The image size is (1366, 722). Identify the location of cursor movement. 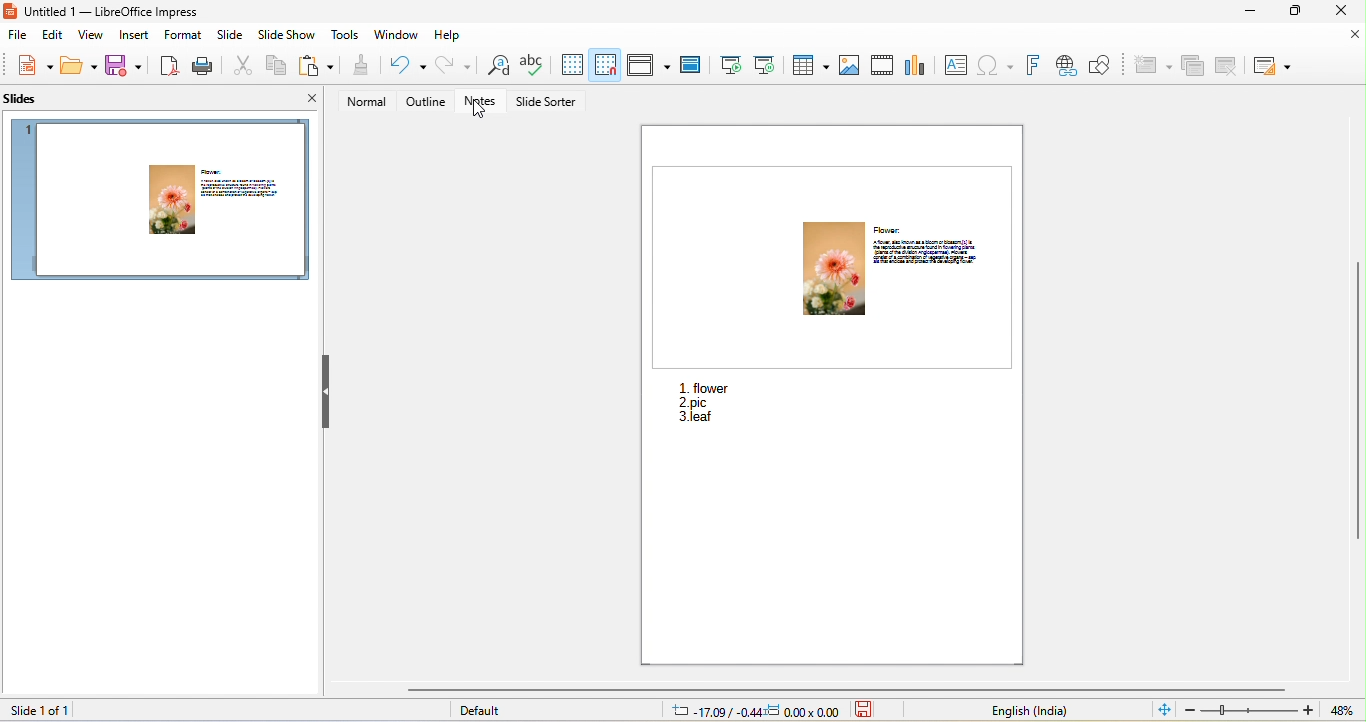
(477, 116).